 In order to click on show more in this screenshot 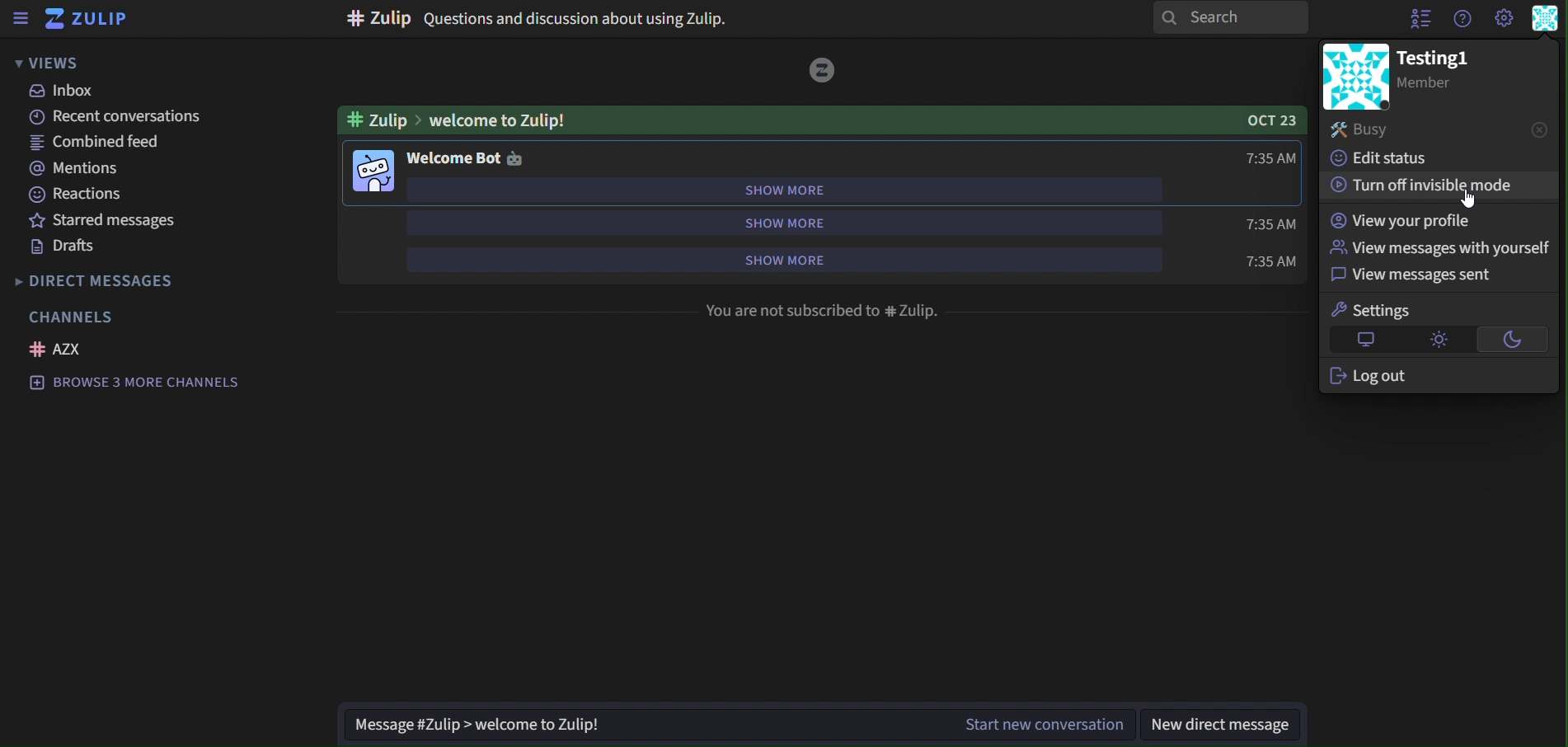, I will do `click(777, 261)`.